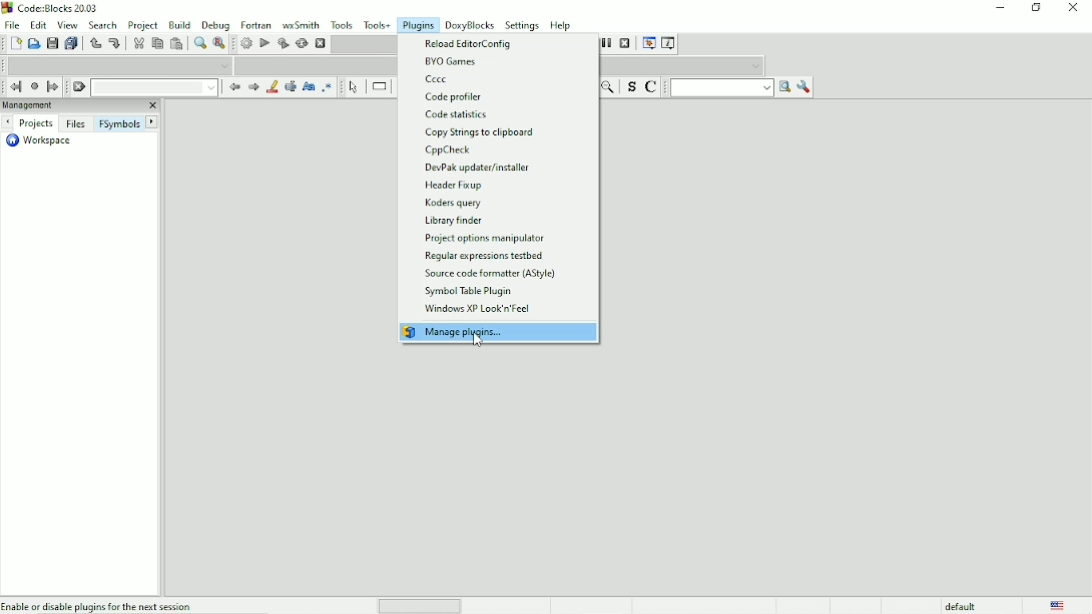  What do you see at coordinates (265, 43) in the screenshot?
I see `Run` at bounding box center [265, 43].